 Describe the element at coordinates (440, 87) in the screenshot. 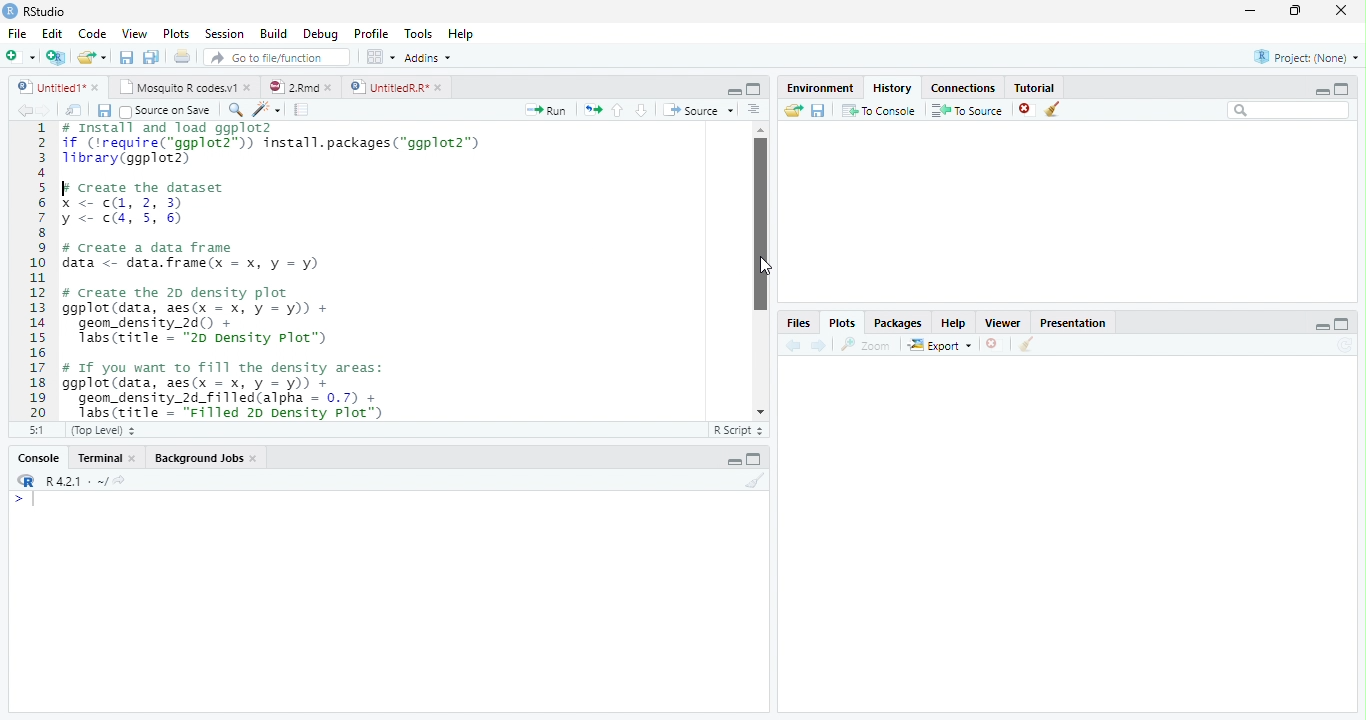

I see `close` at that location.